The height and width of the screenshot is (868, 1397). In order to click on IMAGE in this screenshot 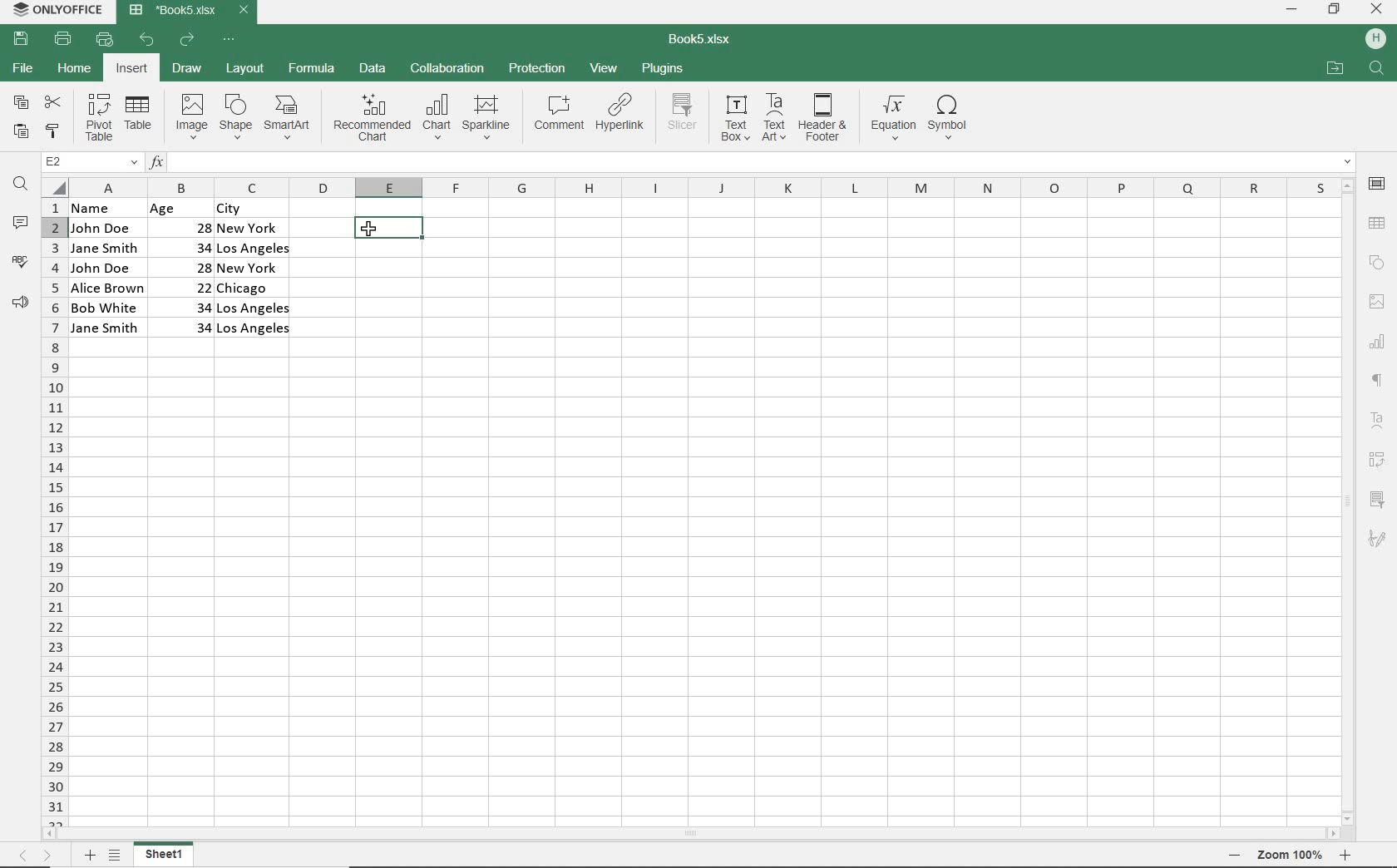, I will do `click(189, 116)`.